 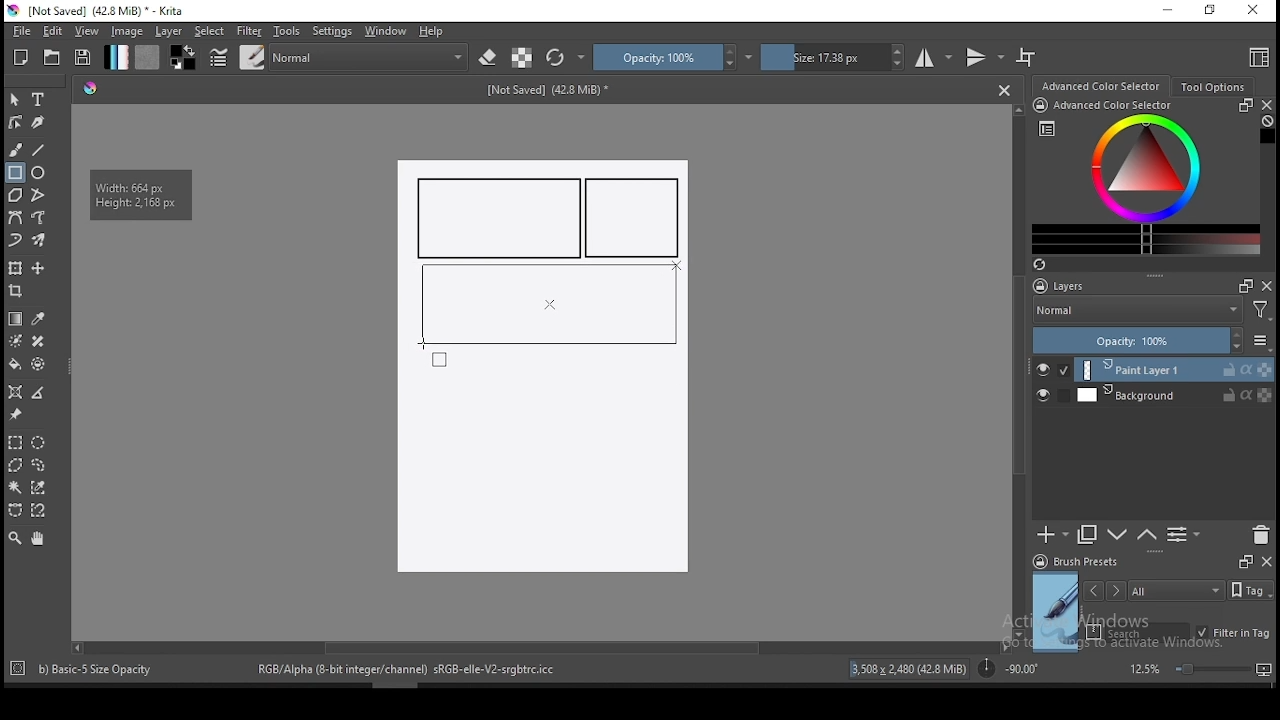 What do you see at coordinates (435, 32) in the screenshot?
I see `help` at bounding box center [435, 32].